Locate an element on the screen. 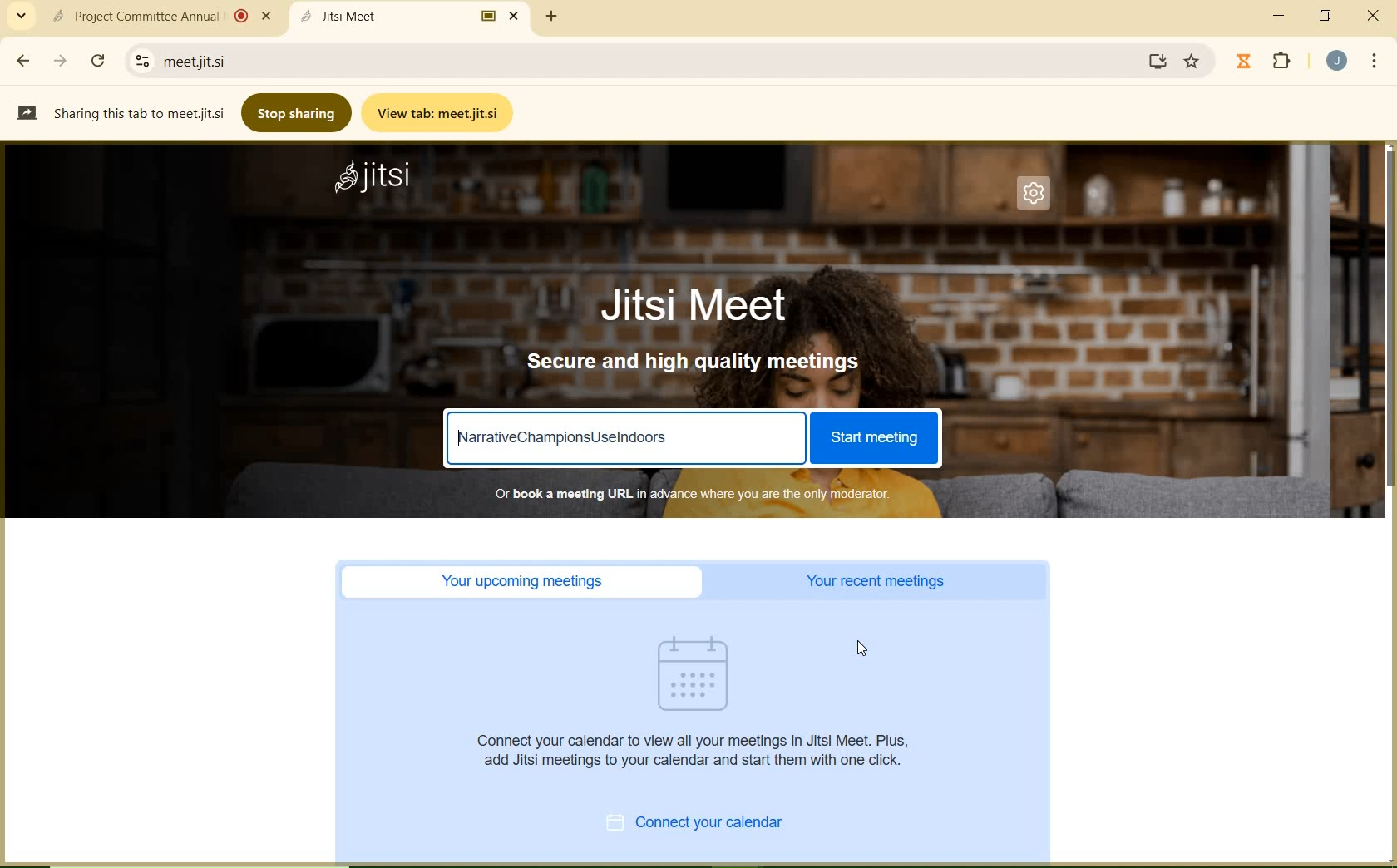 This screenshot has width=1397, height=868. Jibble is located at coordinates (1244, 61).